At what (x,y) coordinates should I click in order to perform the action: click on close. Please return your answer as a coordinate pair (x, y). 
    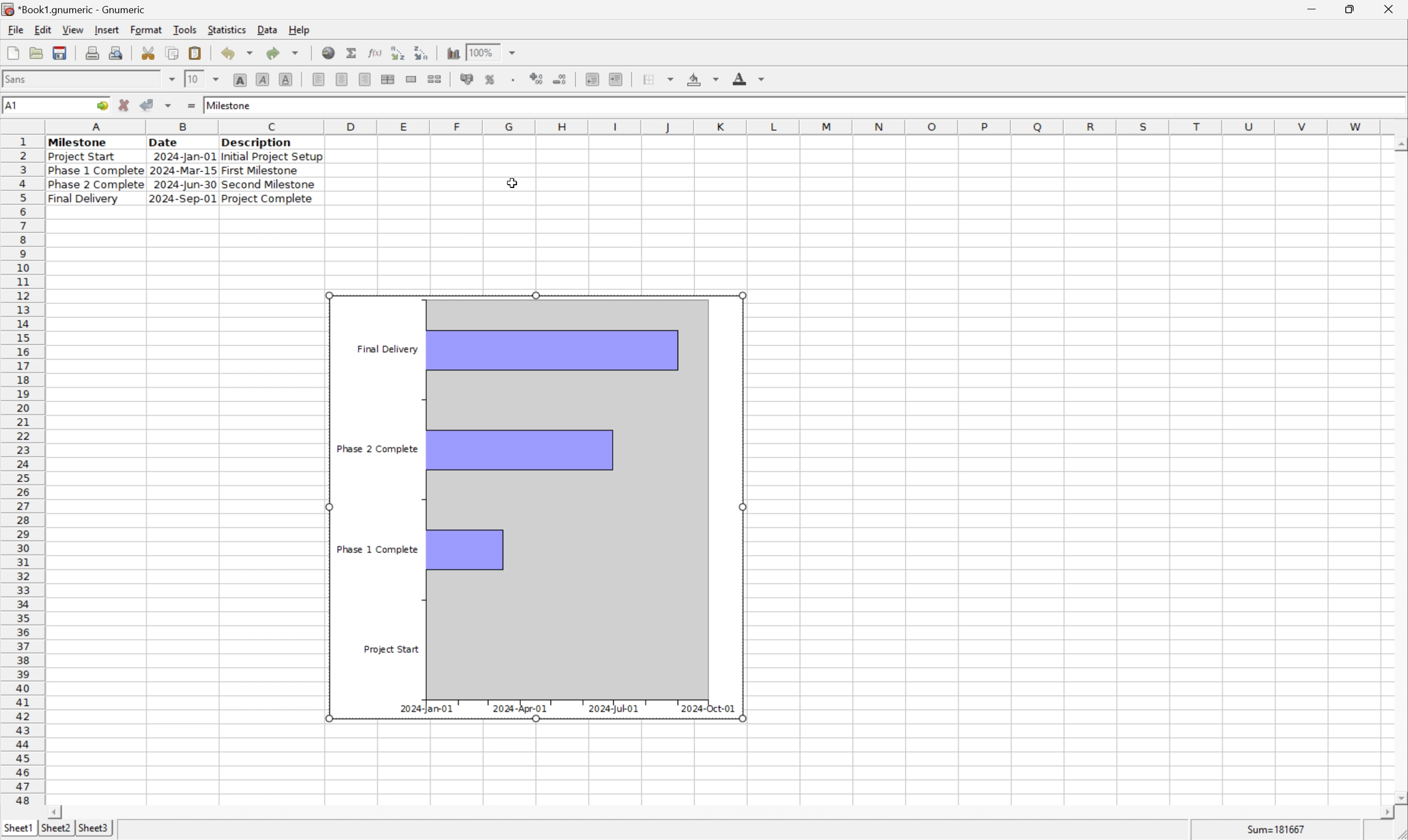
    Looking at the image, I should click on (1390, 7).